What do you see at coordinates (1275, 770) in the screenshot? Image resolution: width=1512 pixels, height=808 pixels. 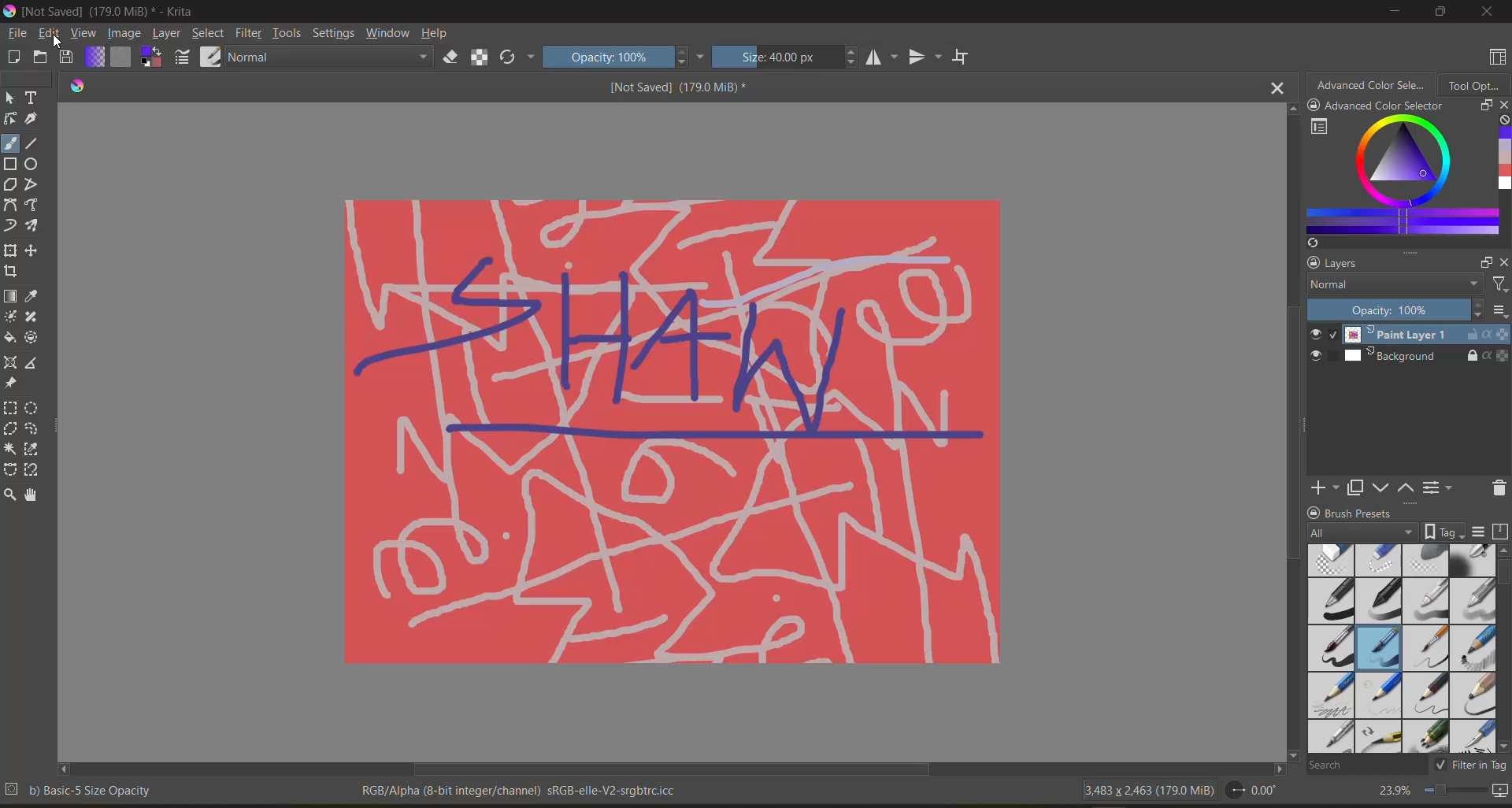 I see `scroll right` at bounding box center [1275, 770].